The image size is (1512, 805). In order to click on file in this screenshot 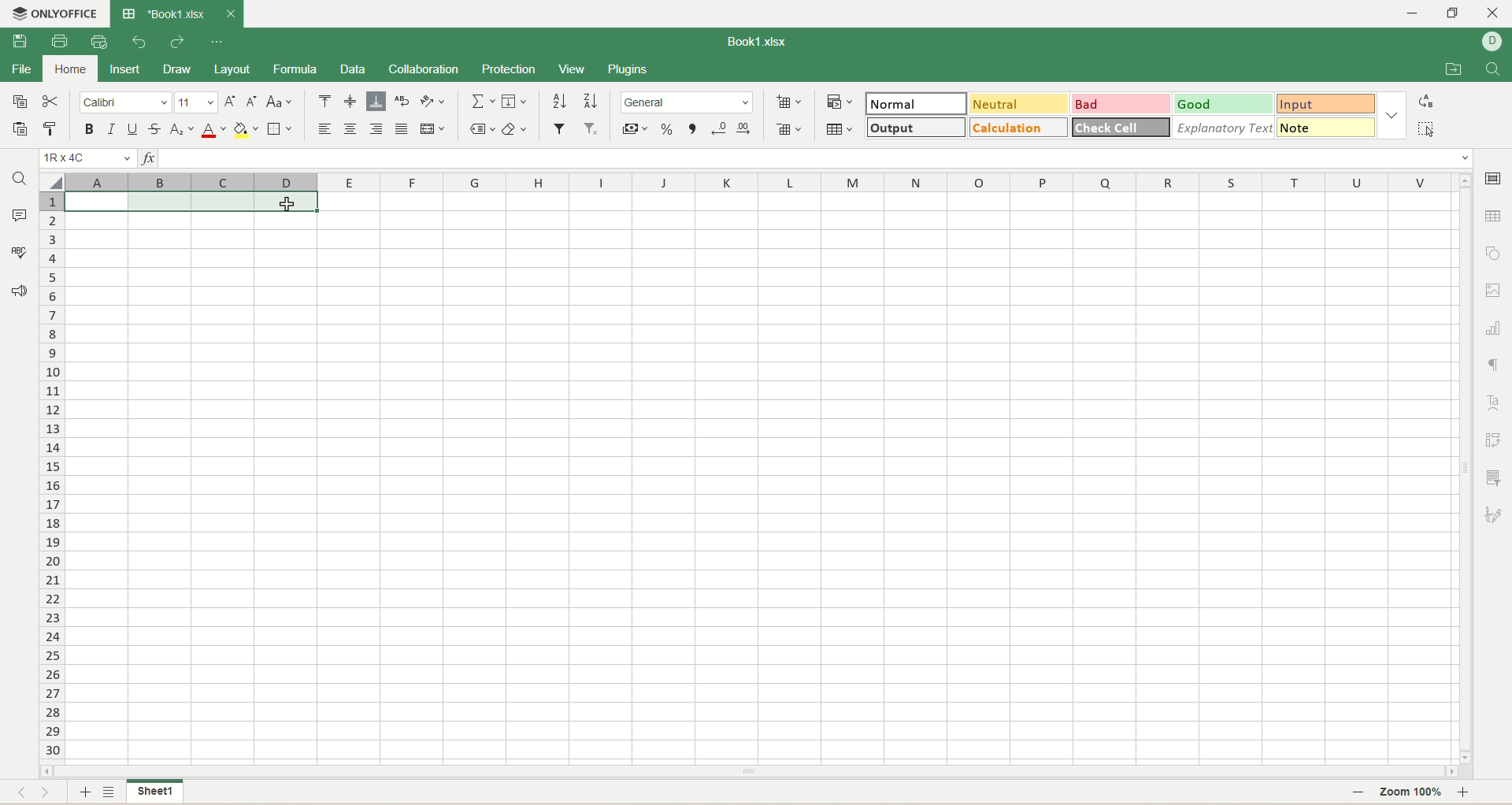, I will do `click(20, 70)`.